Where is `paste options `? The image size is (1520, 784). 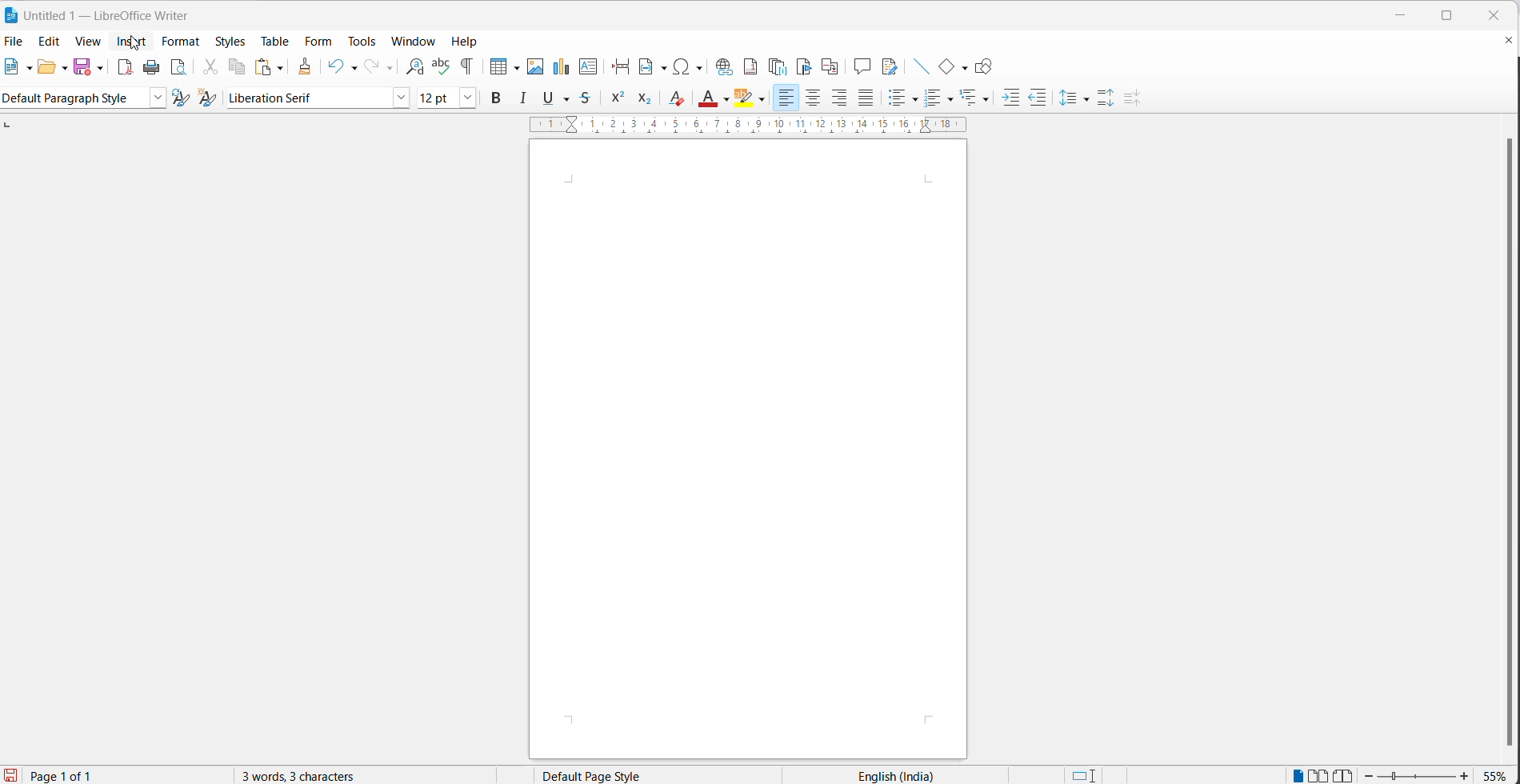 paste options  is located at coordinates (281, 69).